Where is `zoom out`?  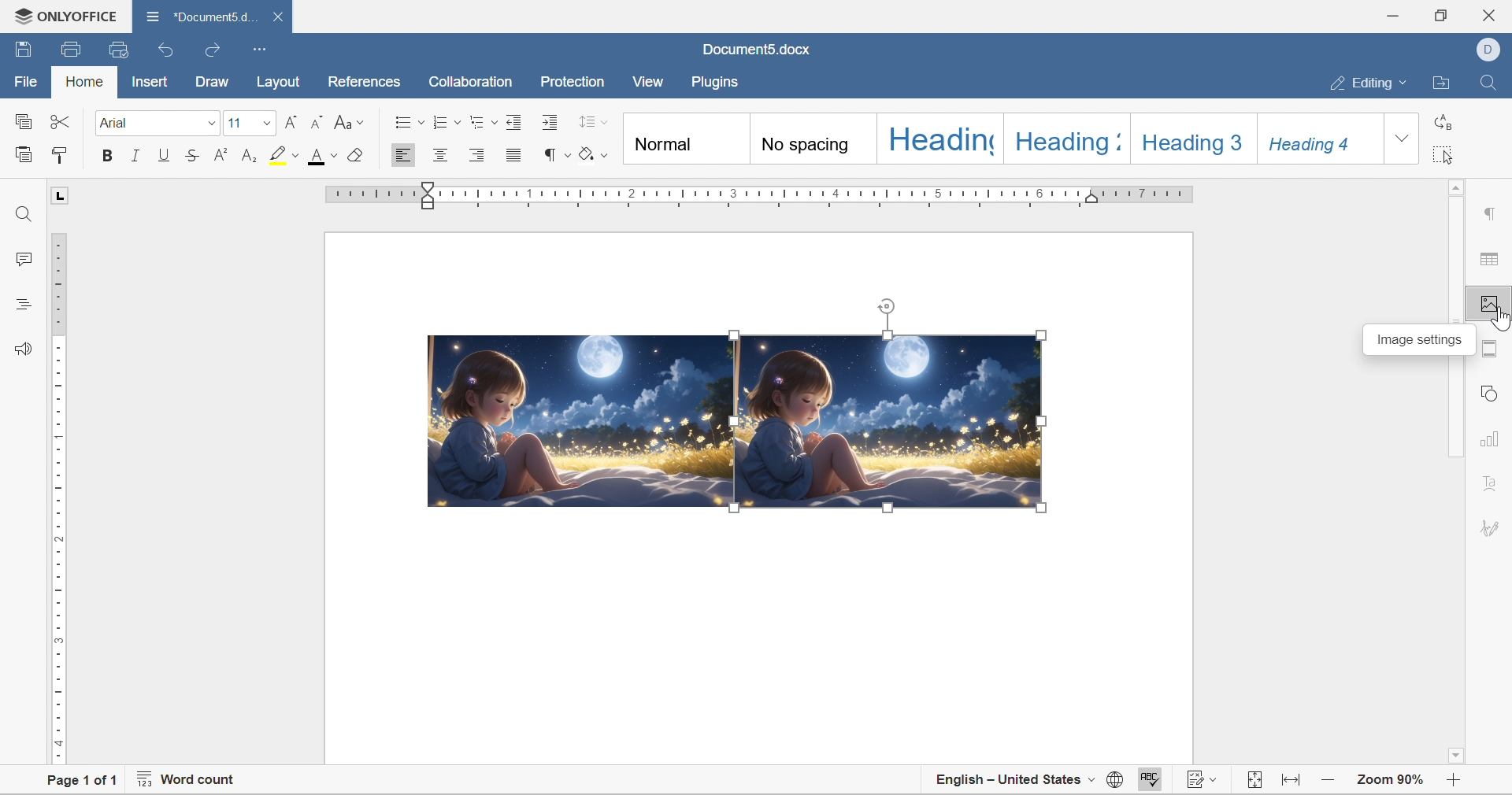 zoom out is located at coordinates (1451, 783).